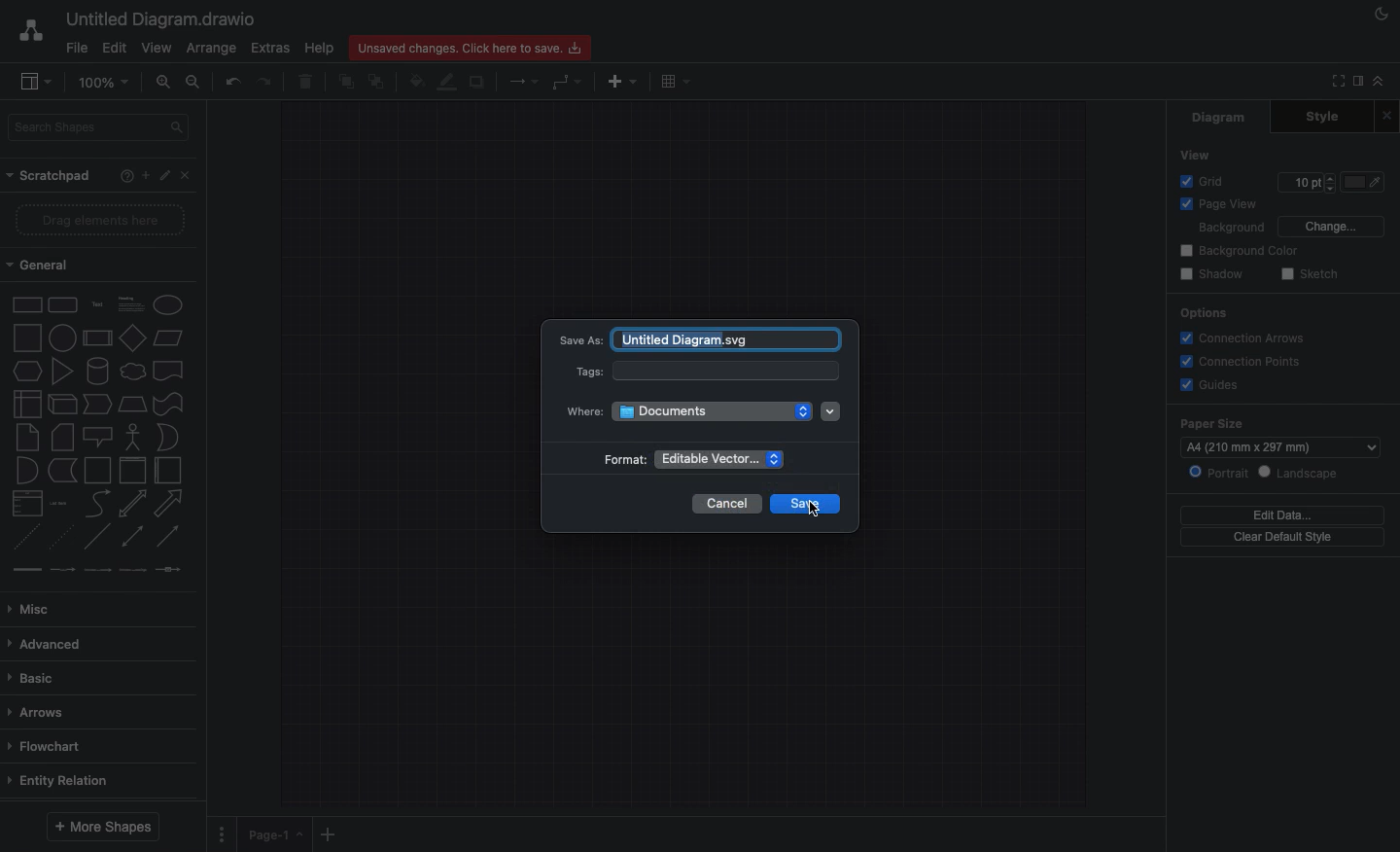 The image size is (1400, 852). I want to click on Where, so click(687, 411).